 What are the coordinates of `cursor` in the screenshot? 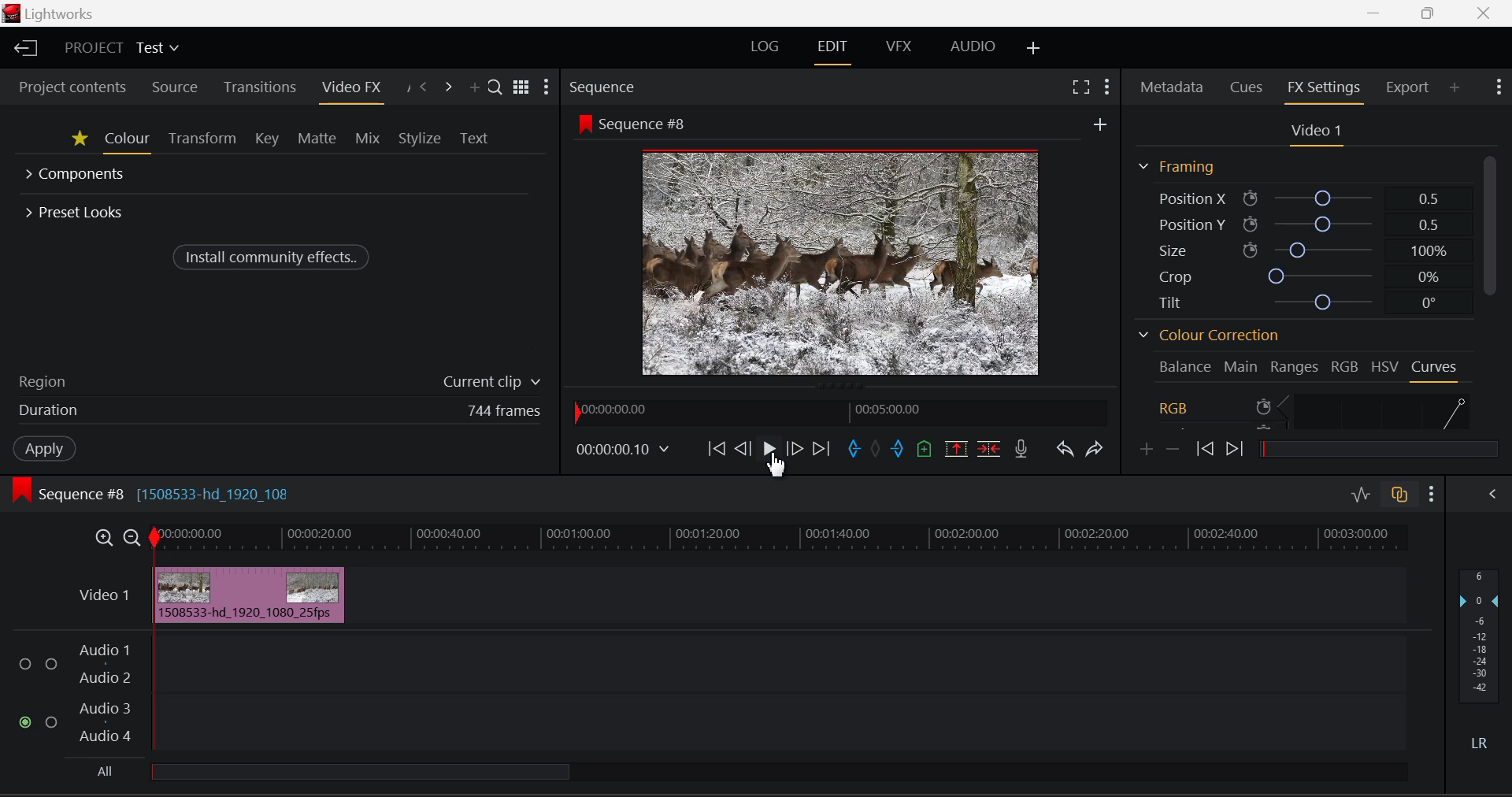 It's located at (778, 467).